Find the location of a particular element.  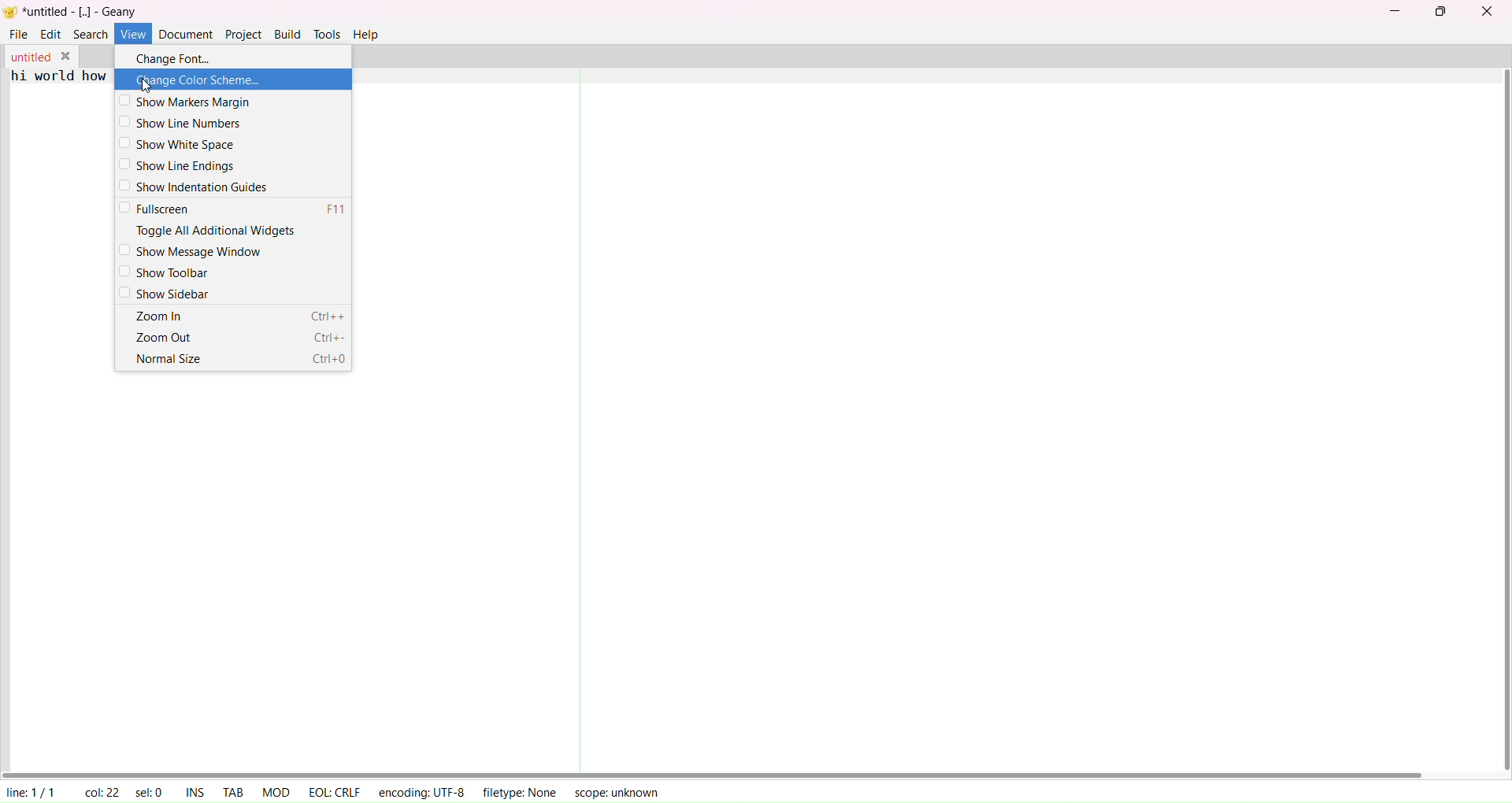

normal size is located at coordinates (239, 359).